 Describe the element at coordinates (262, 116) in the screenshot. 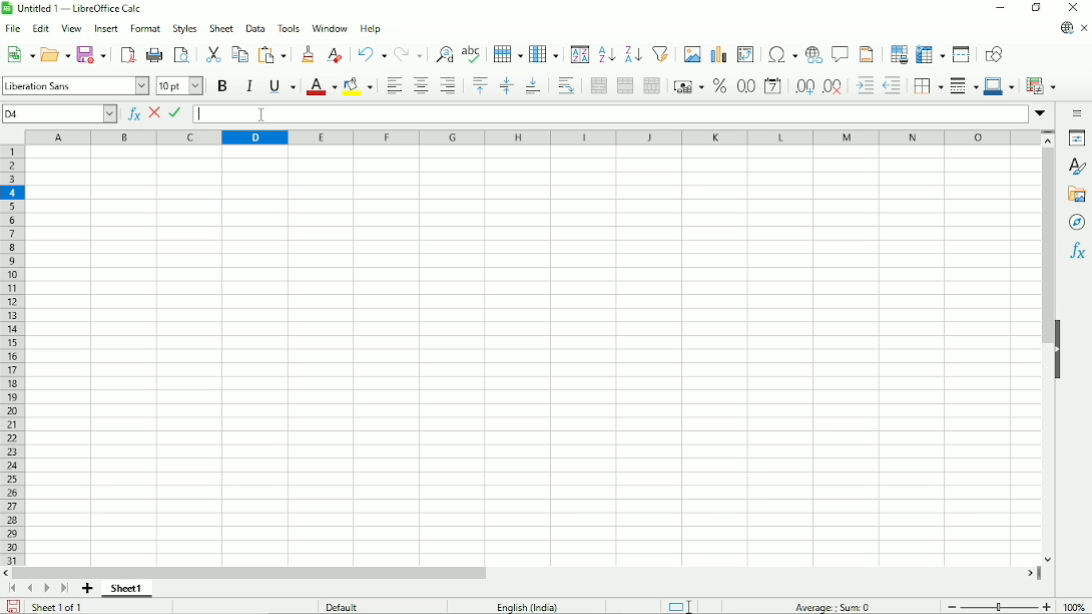

I see `cursor` at that location.